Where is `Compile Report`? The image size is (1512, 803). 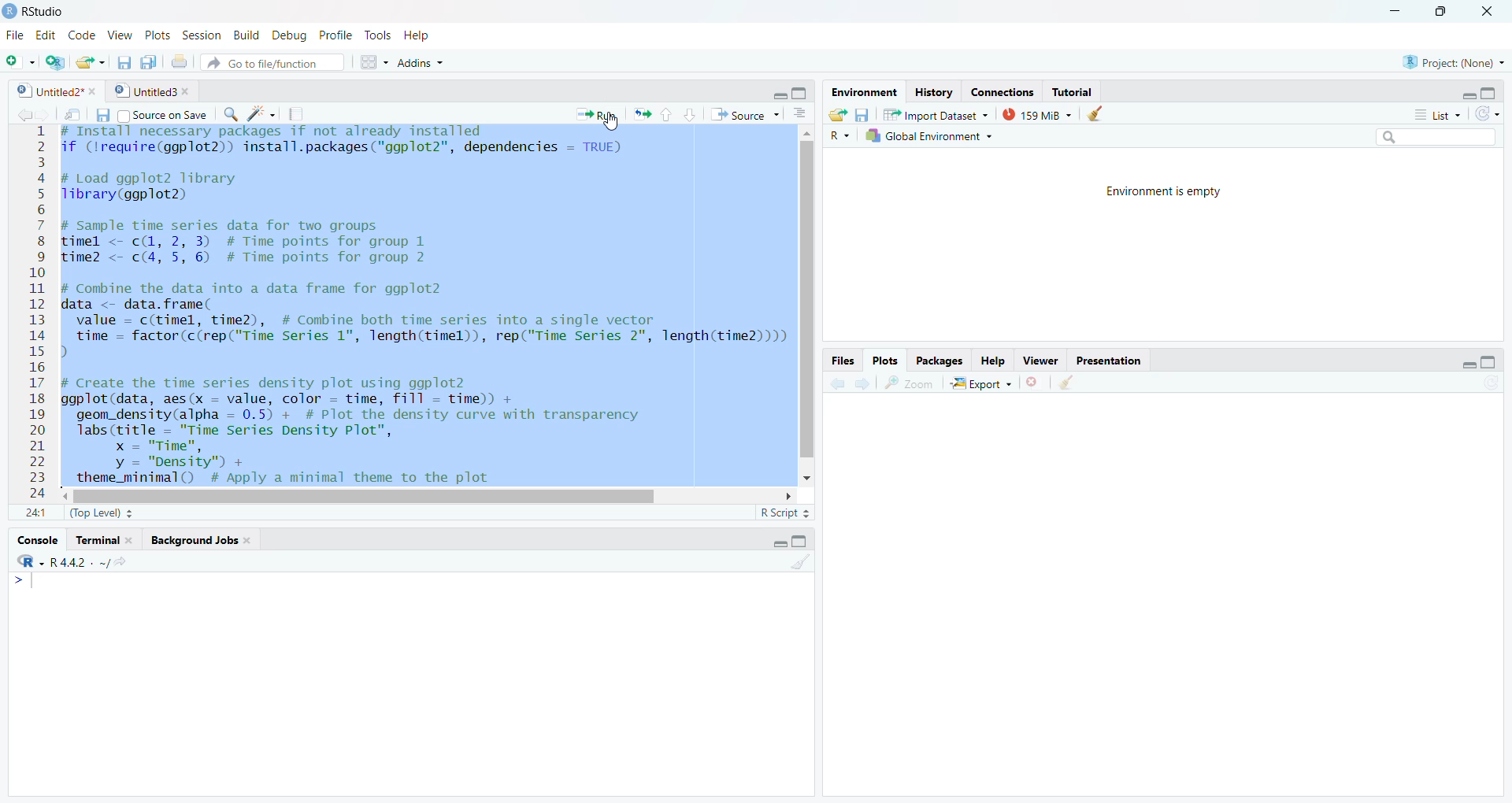
Compile Report is located at coordinates (296, 115).